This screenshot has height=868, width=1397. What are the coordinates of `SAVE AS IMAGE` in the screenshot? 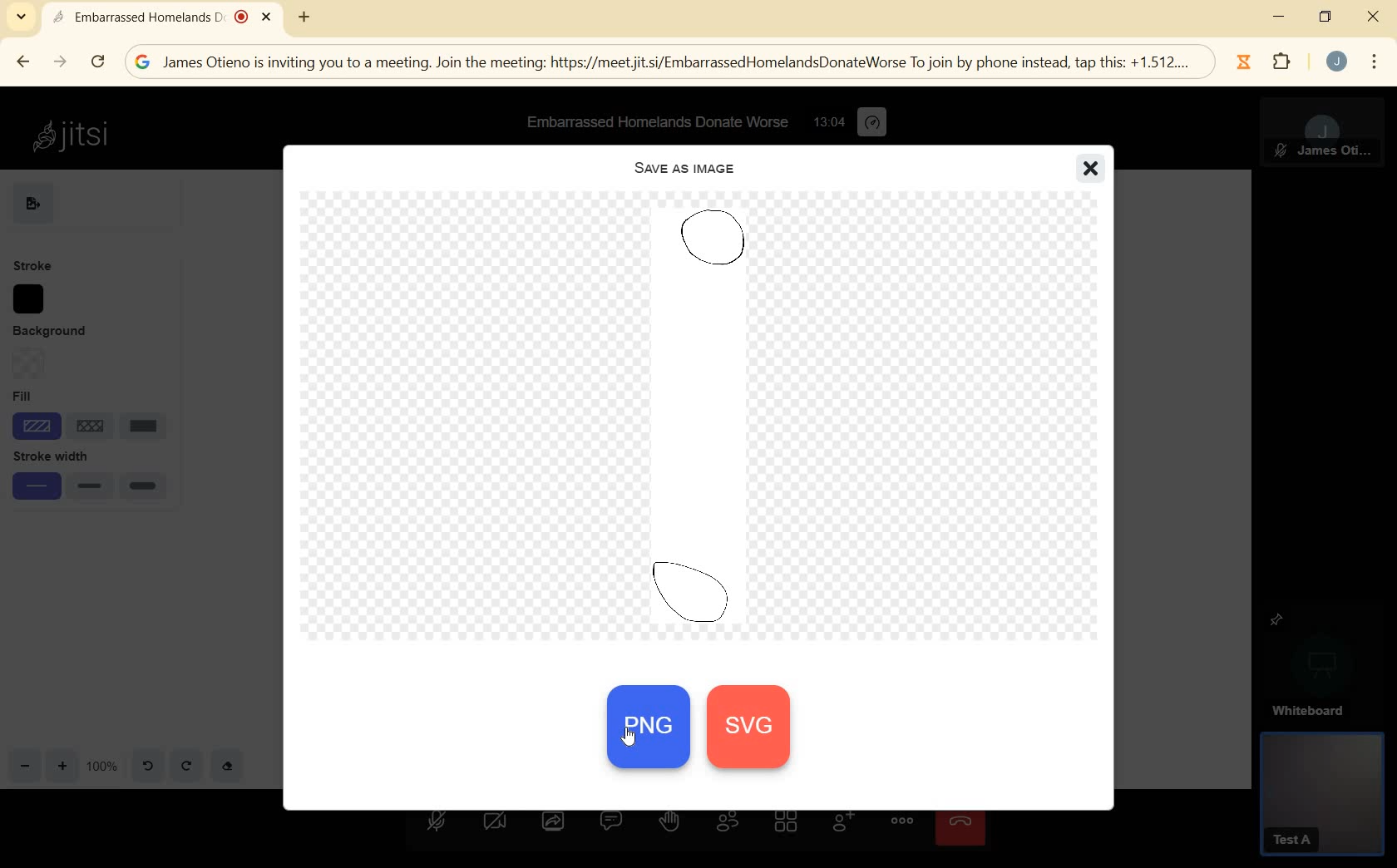 It's located at (684, 167).